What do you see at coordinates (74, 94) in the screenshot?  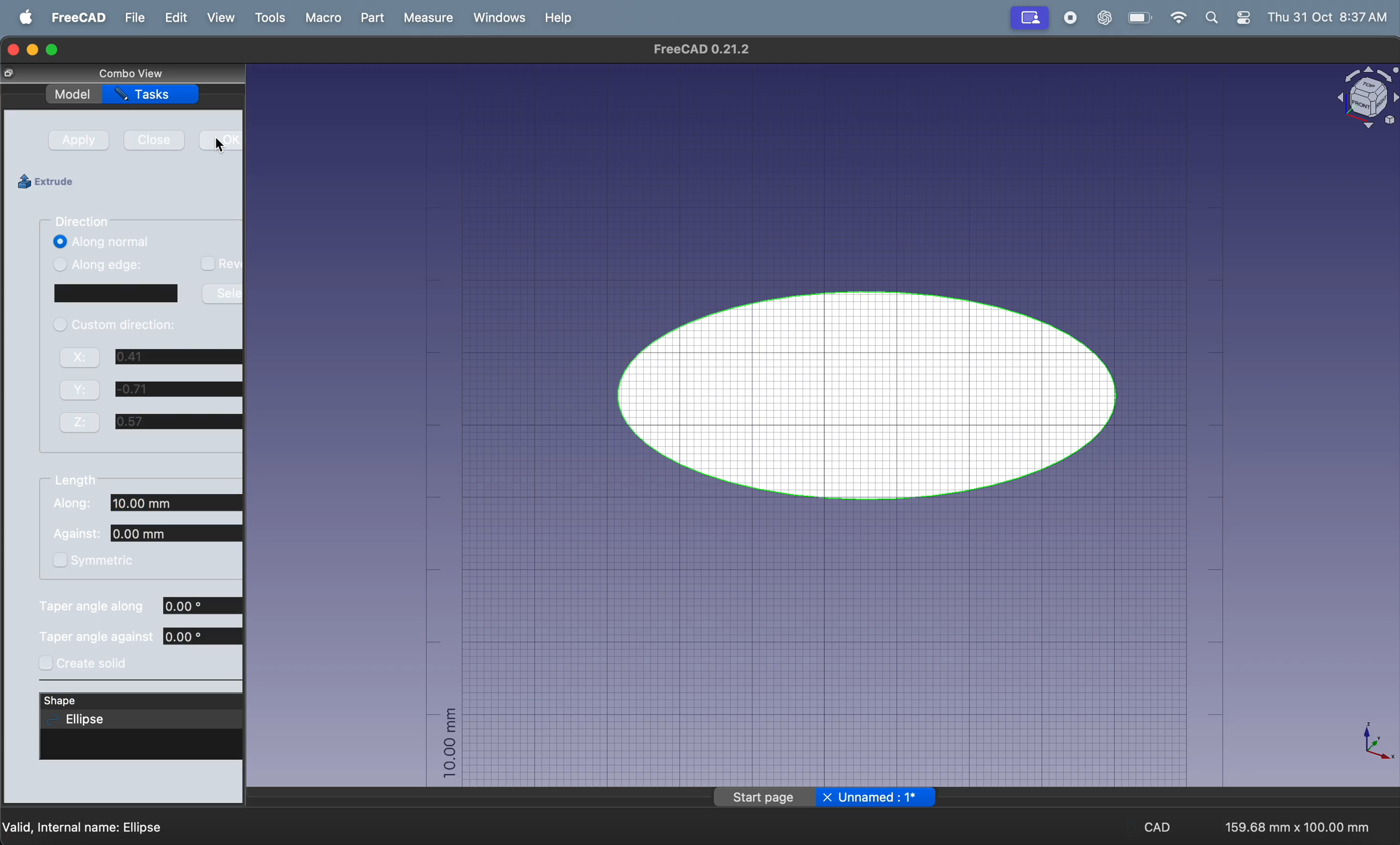 I see `model` at bounding box center [74, 94].